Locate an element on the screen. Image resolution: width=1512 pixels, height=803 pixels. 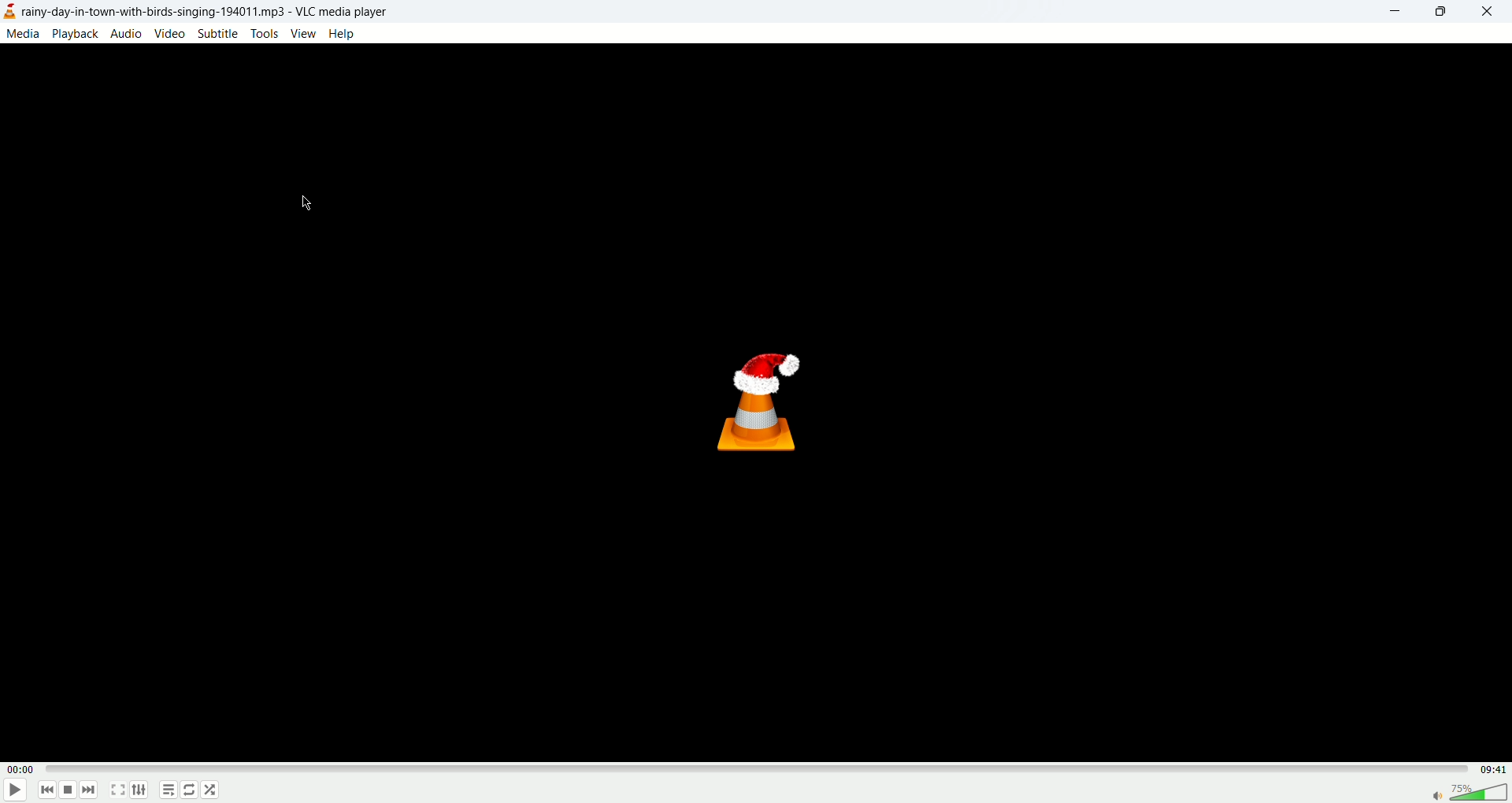
total time is located at coordinates (1490, 773).